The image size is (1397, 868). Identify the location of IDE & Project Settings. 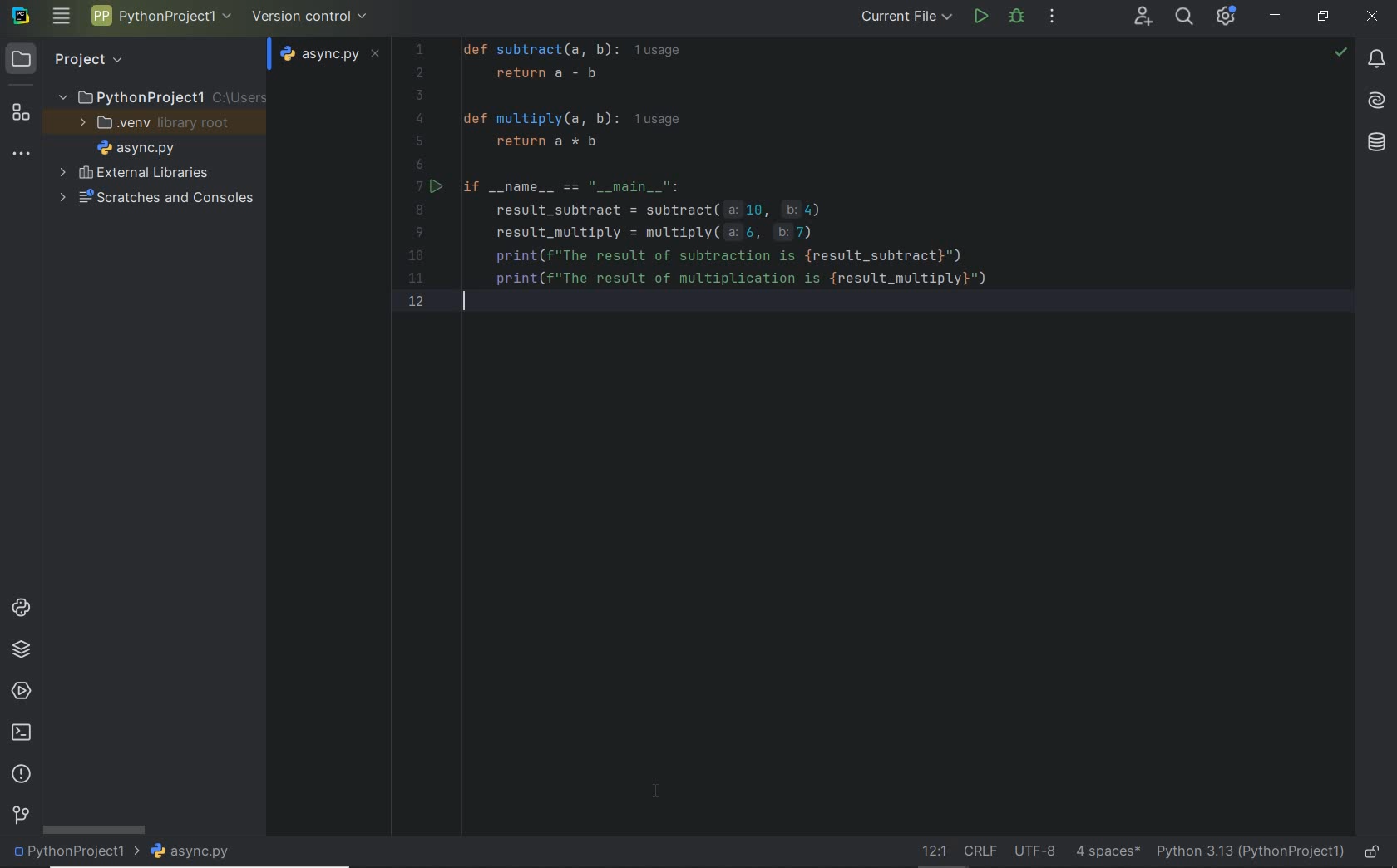
(1227, 16).